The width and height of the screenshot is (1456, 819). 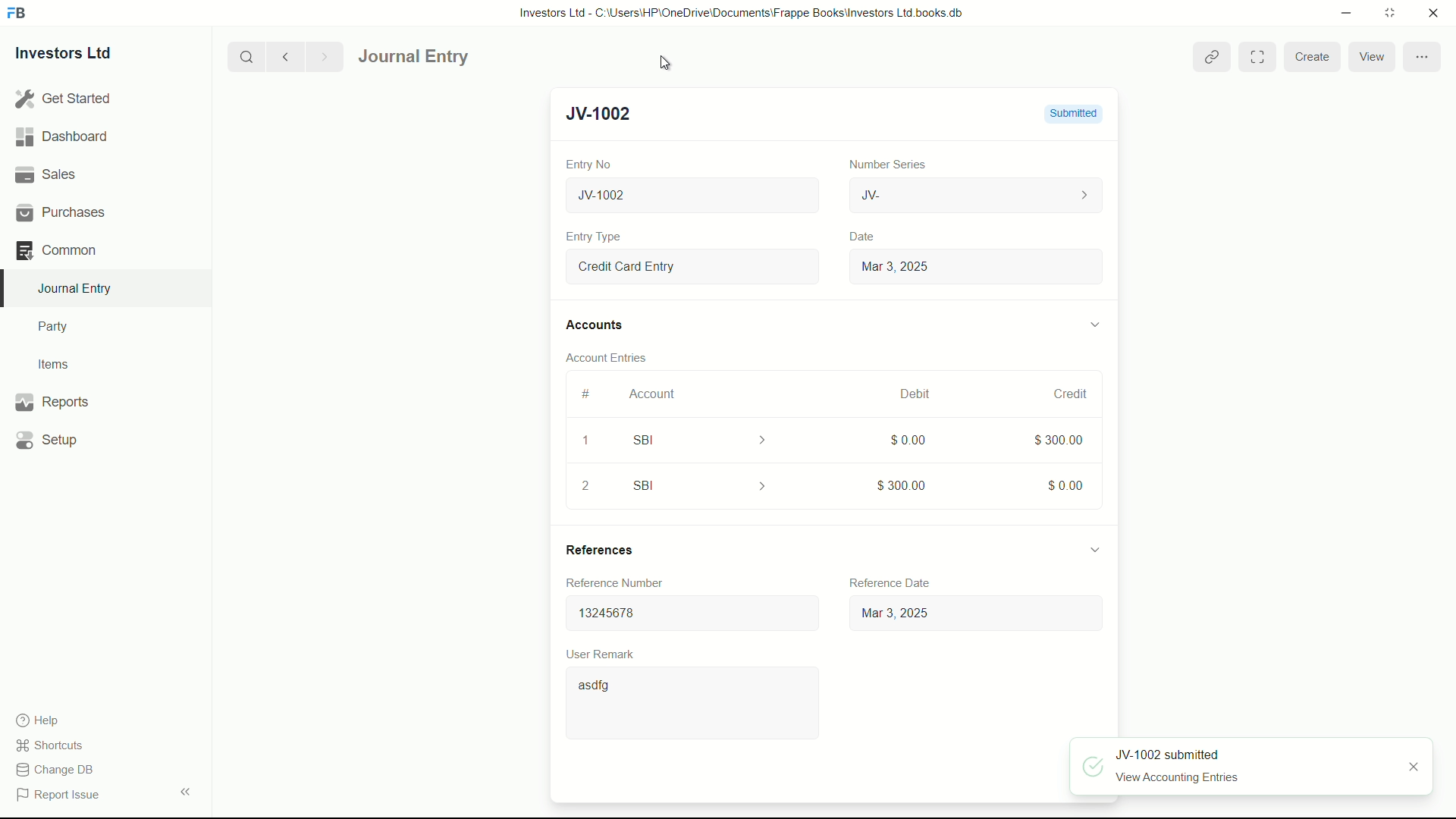 What do you see at coordinates (1067, 482) in the screenshot?
I see `$0.00` at bounding box center [1067, 482].